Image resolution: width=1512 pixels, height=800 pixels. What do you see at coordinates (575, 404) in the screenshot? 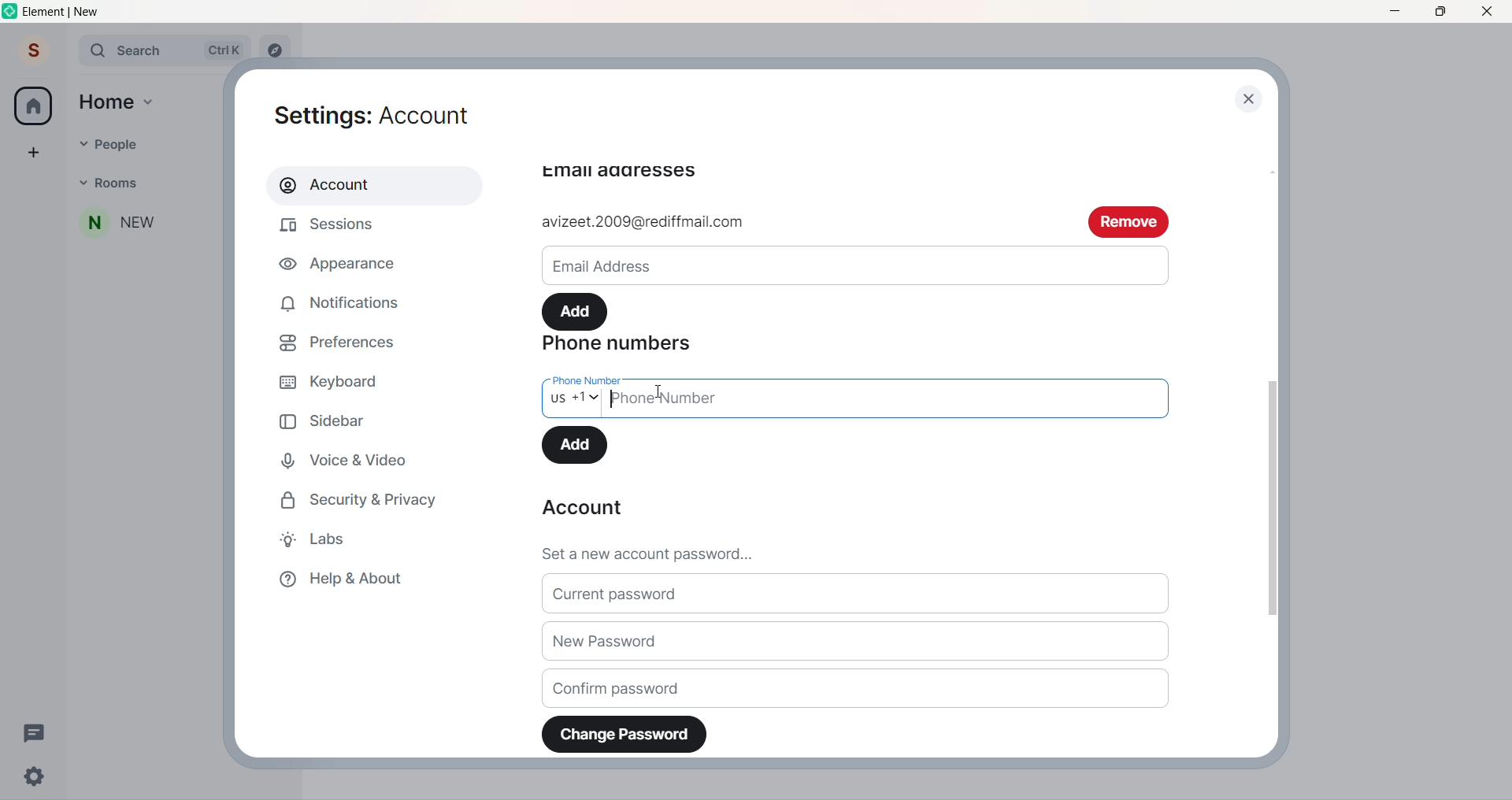
I see `Select Country` at bounding box center [575, 404].